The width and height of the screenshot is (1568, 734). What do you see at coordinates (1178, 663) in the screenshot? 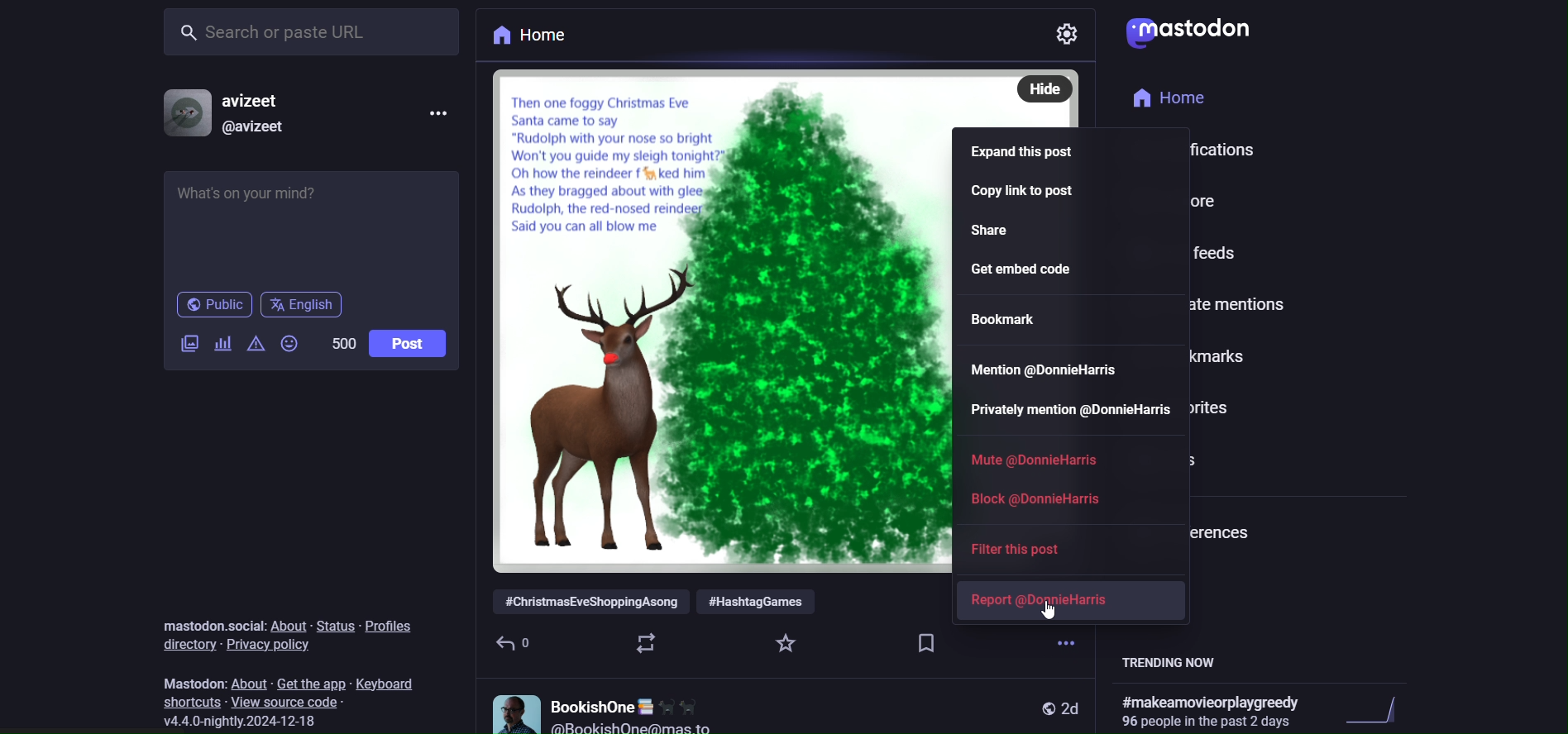
I see `trending now` at bounding box center [1178, 663].